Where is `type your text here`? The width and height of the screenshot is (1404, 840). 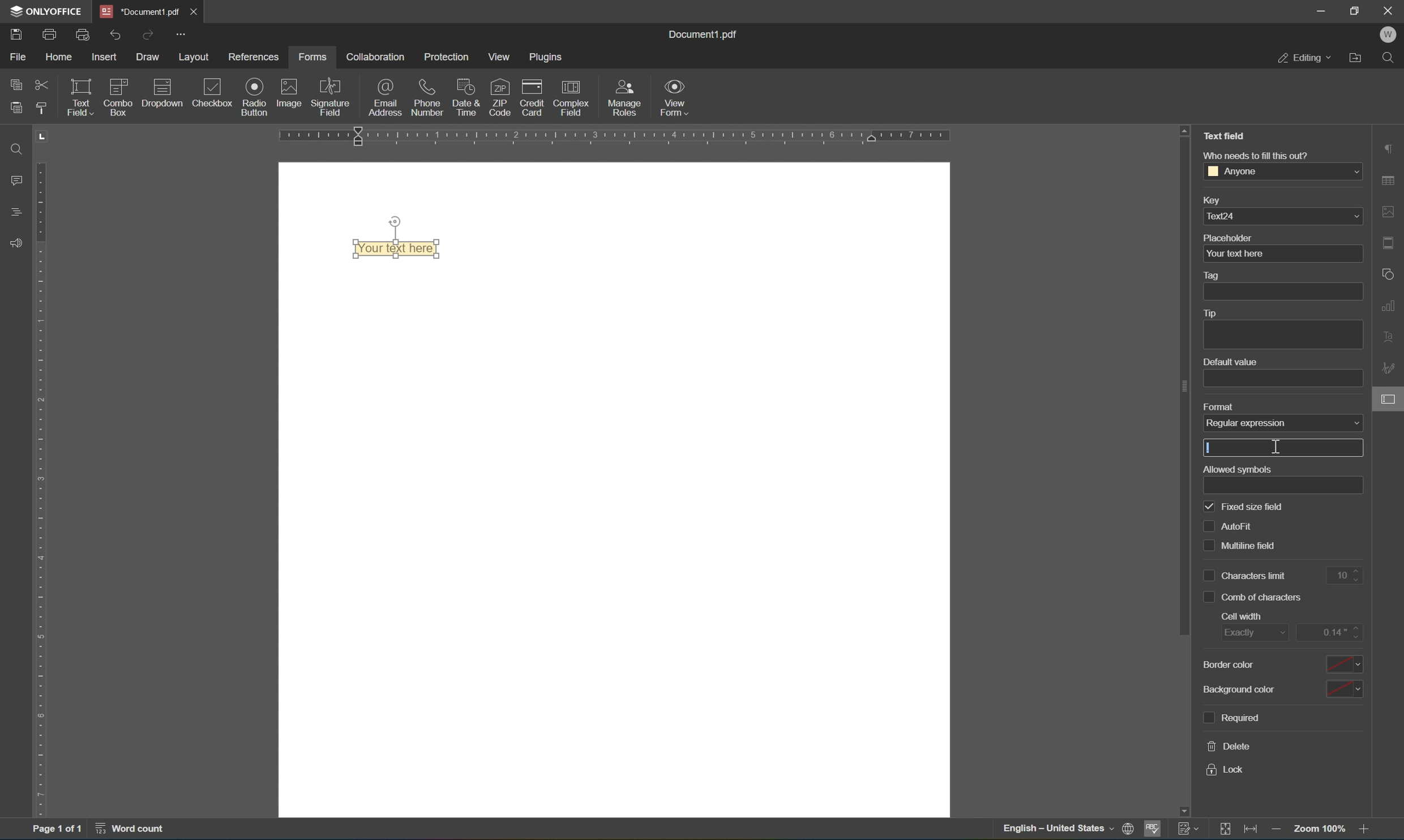 type your text here is located at coordinates (396, 248).